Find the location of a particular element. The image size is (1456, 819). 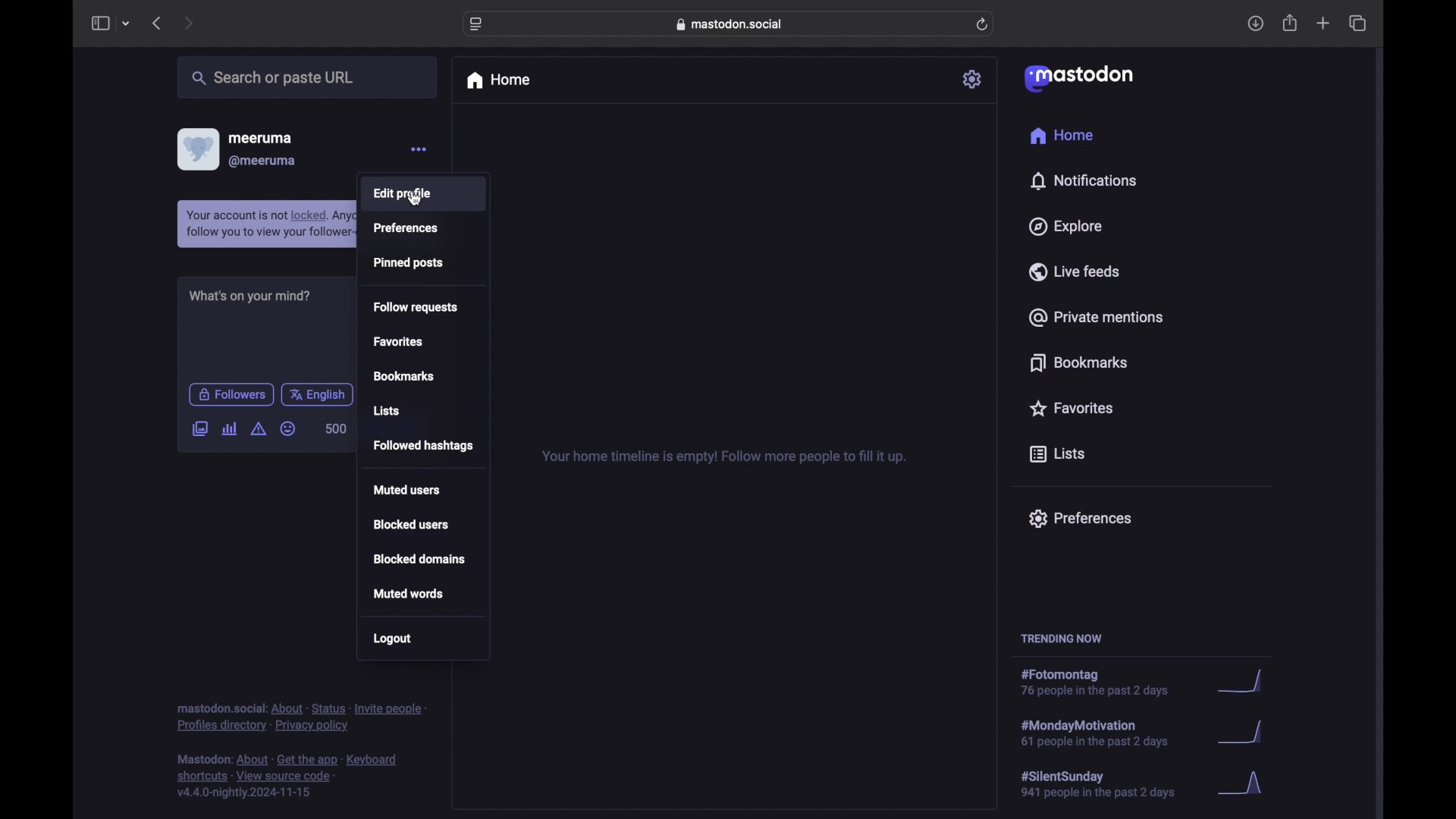

blocked domains is located at coordinates (419, 559).